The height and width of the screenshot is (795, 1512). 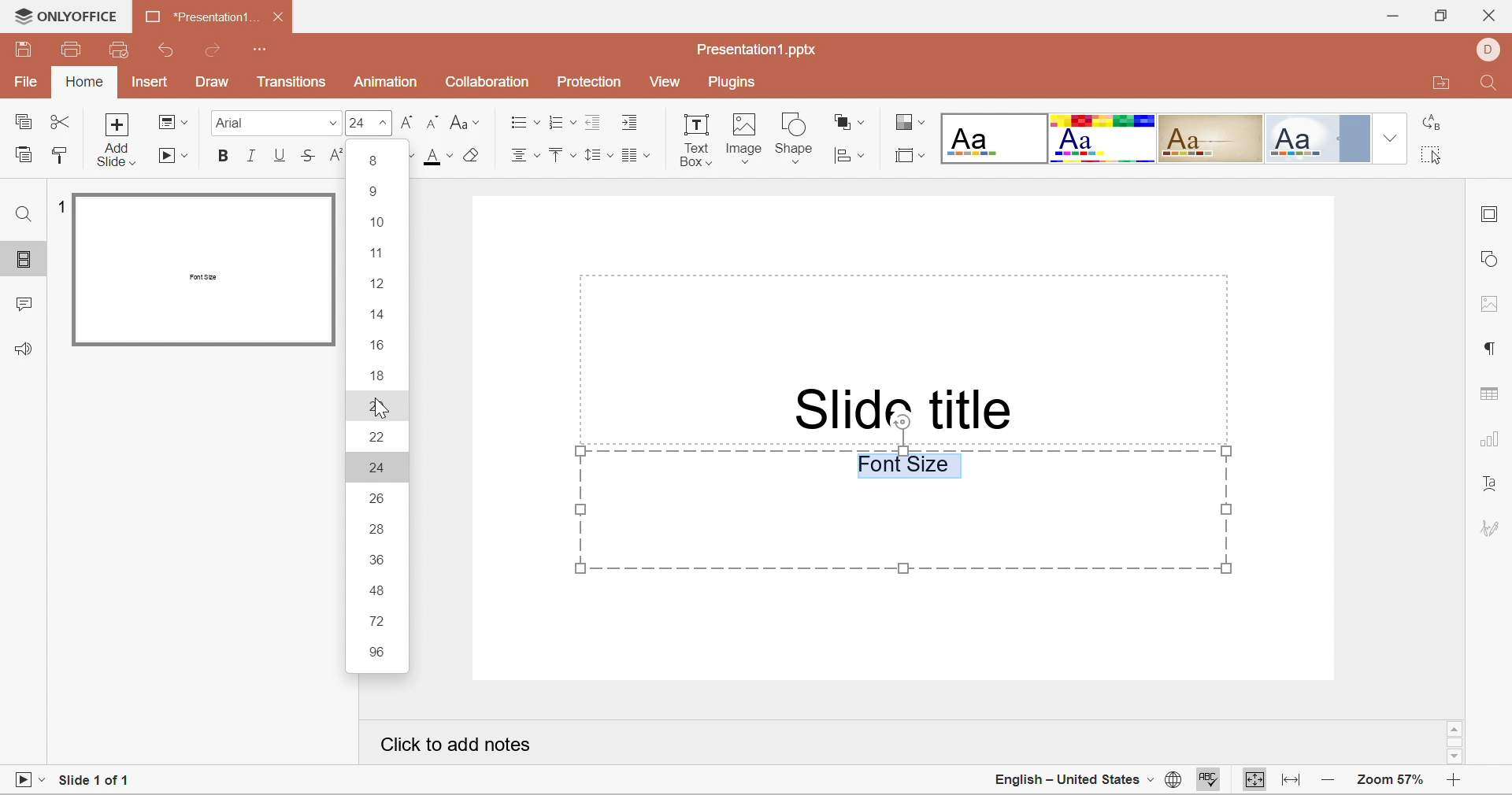 What do you see at coordinates (848, 121) in the screenshot?
I see `Arrange shape` at bounding box center [848, 121].